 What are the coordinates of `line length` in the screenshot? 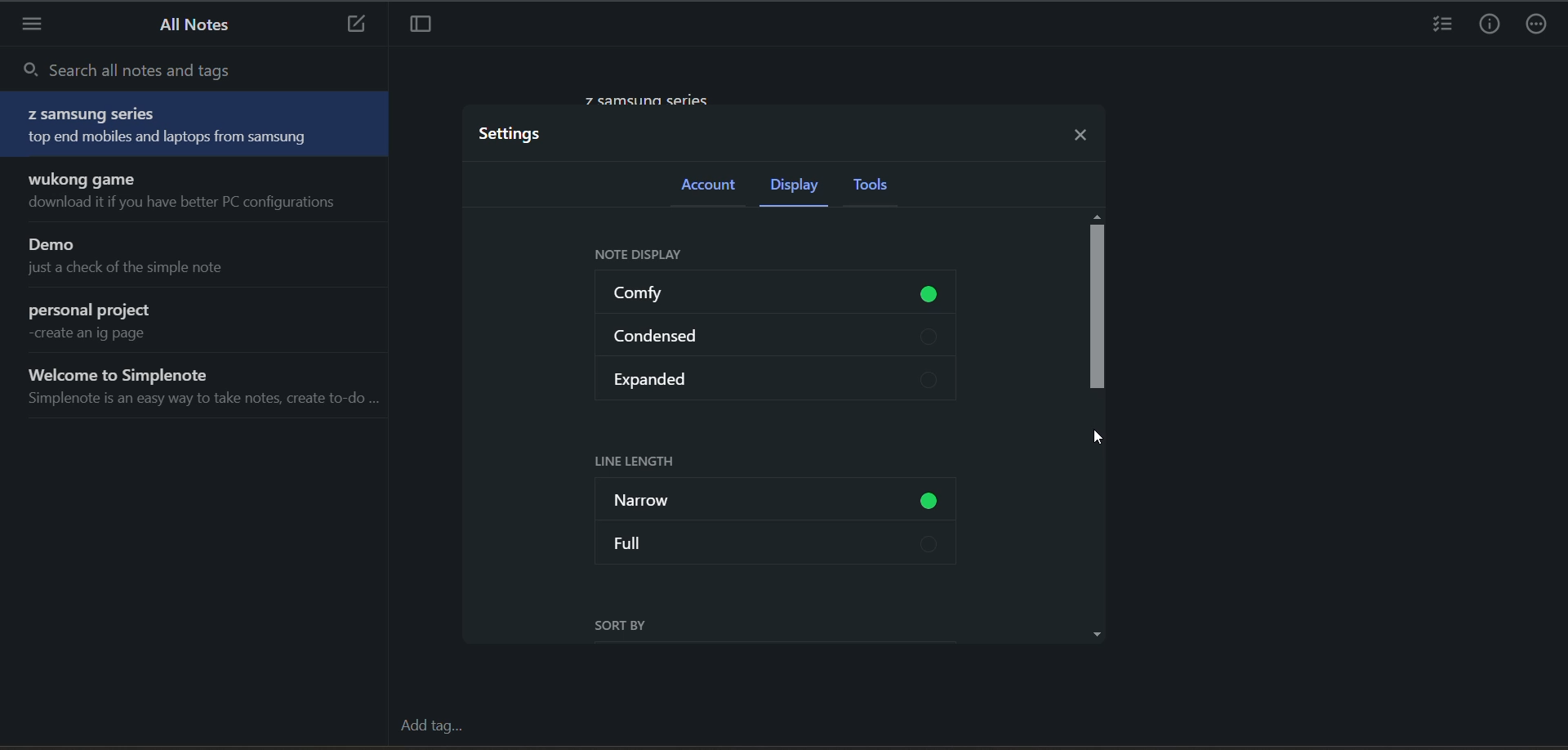 It's located at (644, 462).